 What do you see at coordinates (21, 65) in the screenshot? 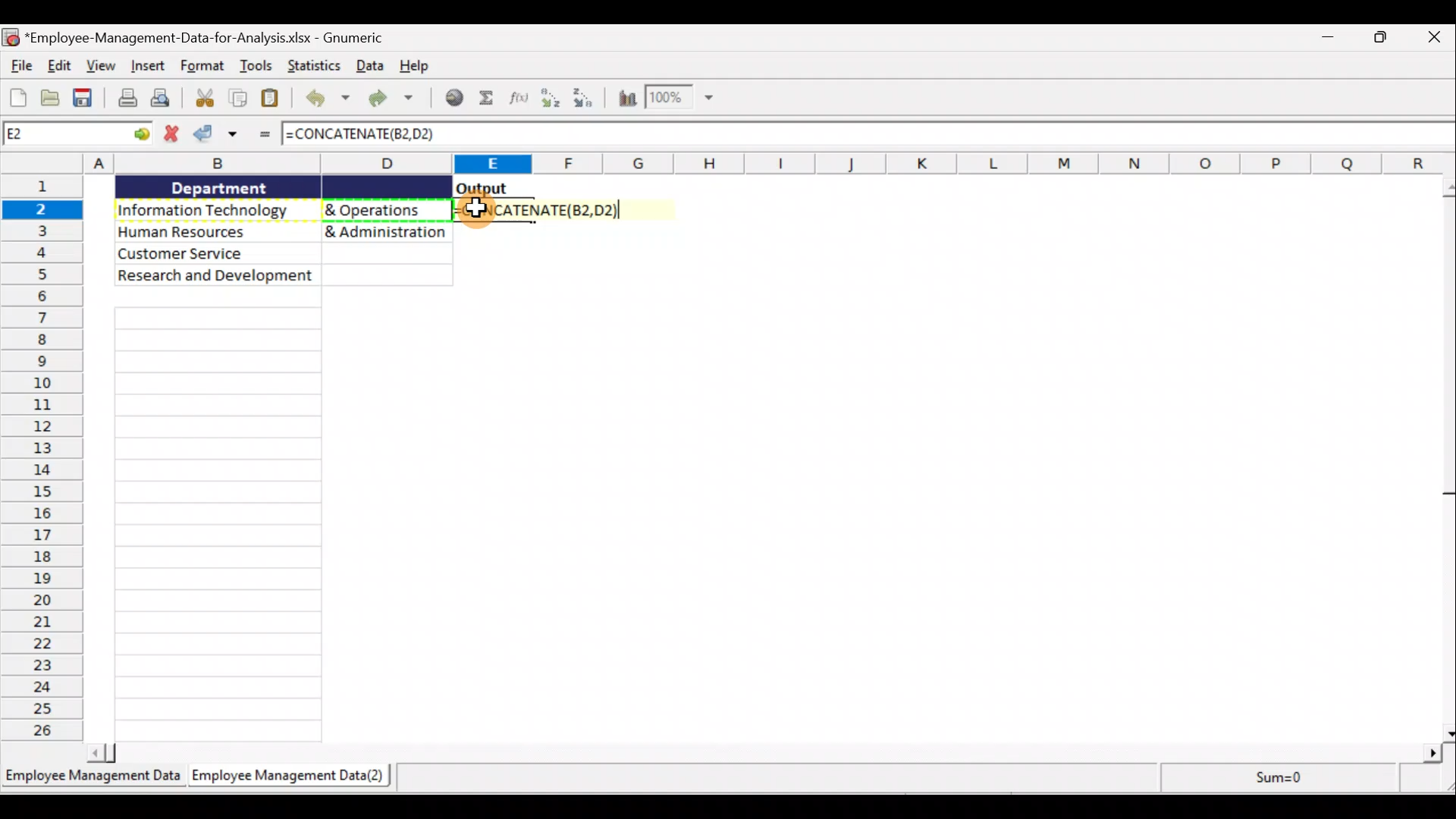
I see `File` at bounding box center [21, 65].